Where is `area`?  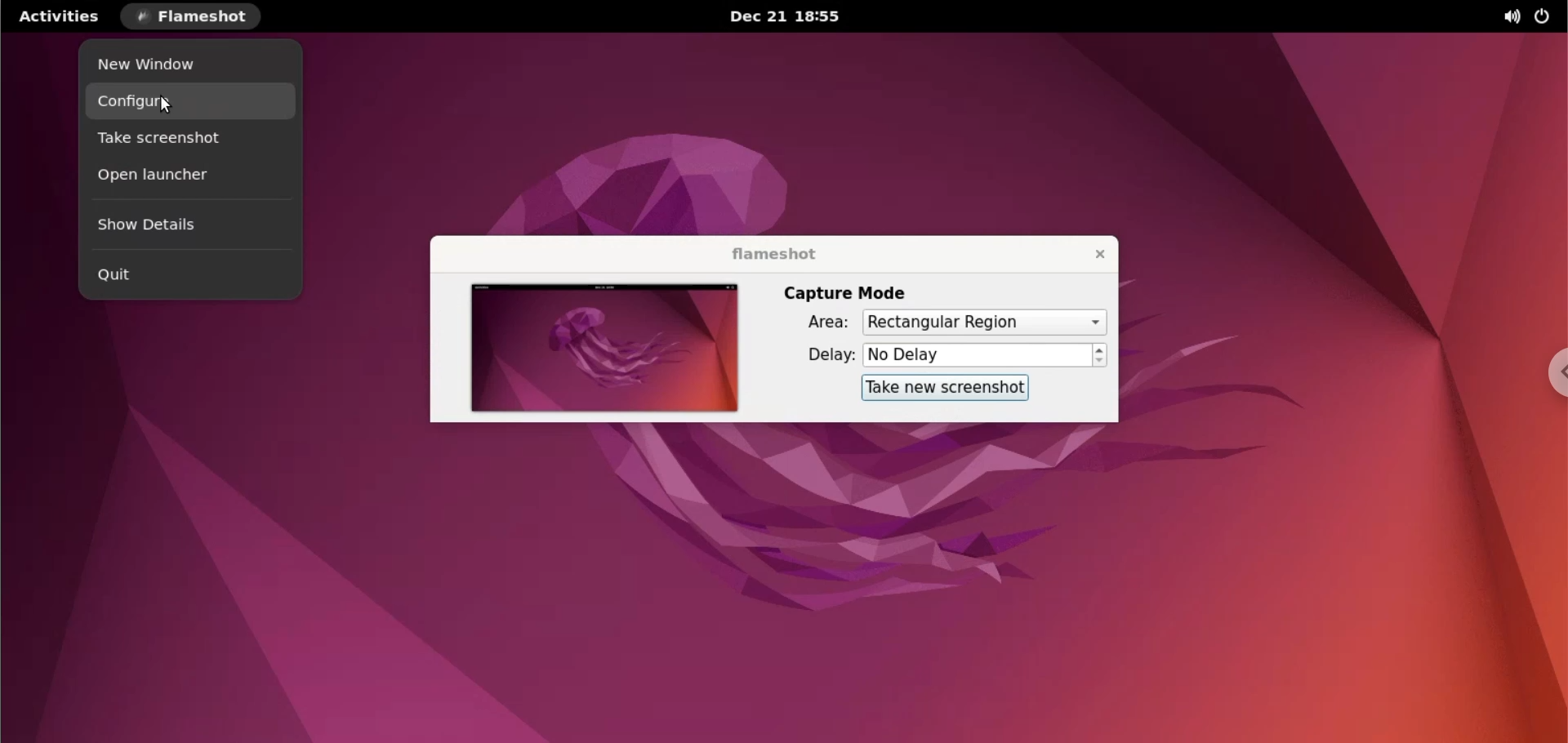
area is located at coordinates (817, 323).